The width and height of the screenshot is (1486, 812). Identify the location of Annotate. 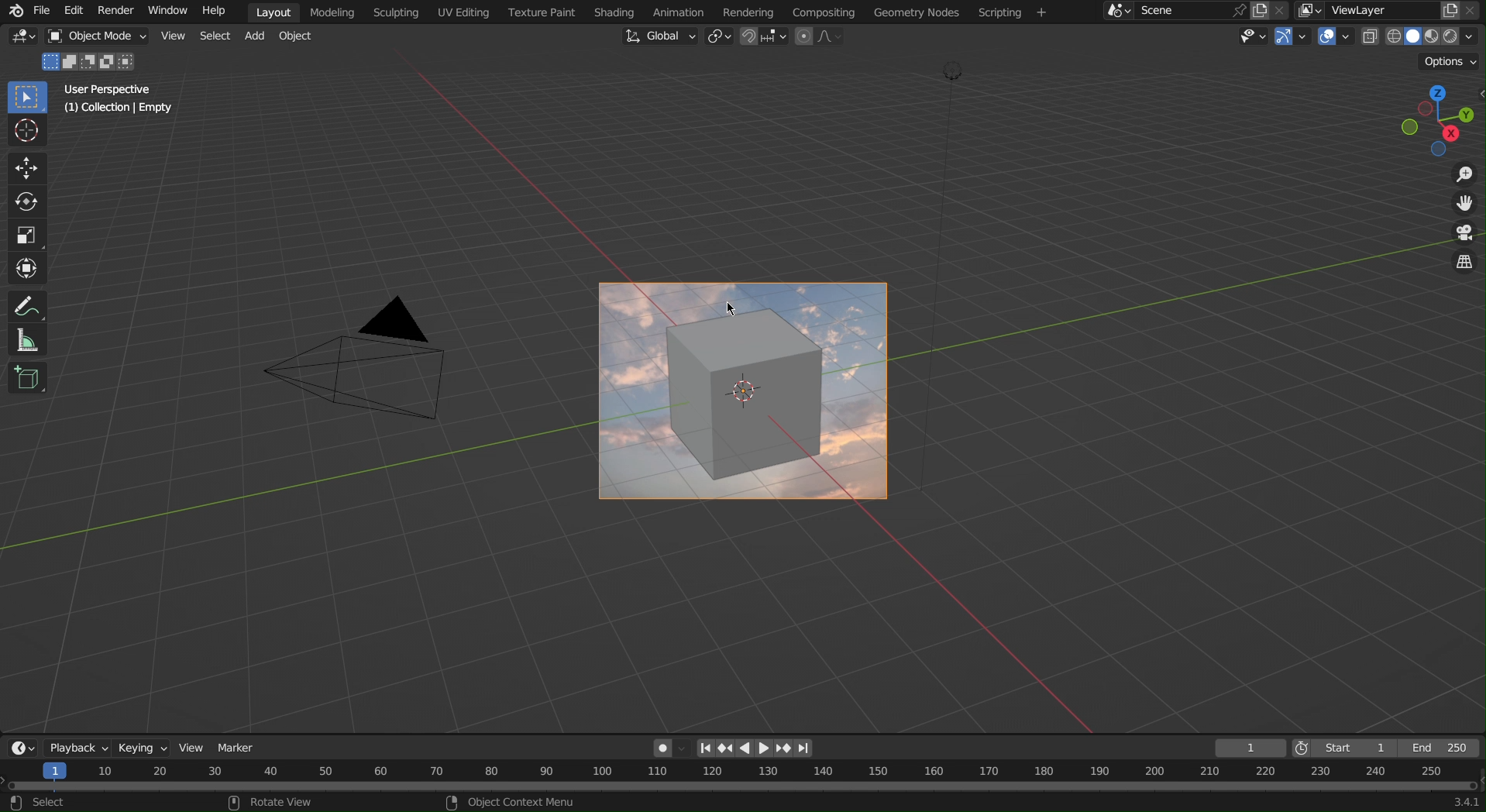
(24, 305).